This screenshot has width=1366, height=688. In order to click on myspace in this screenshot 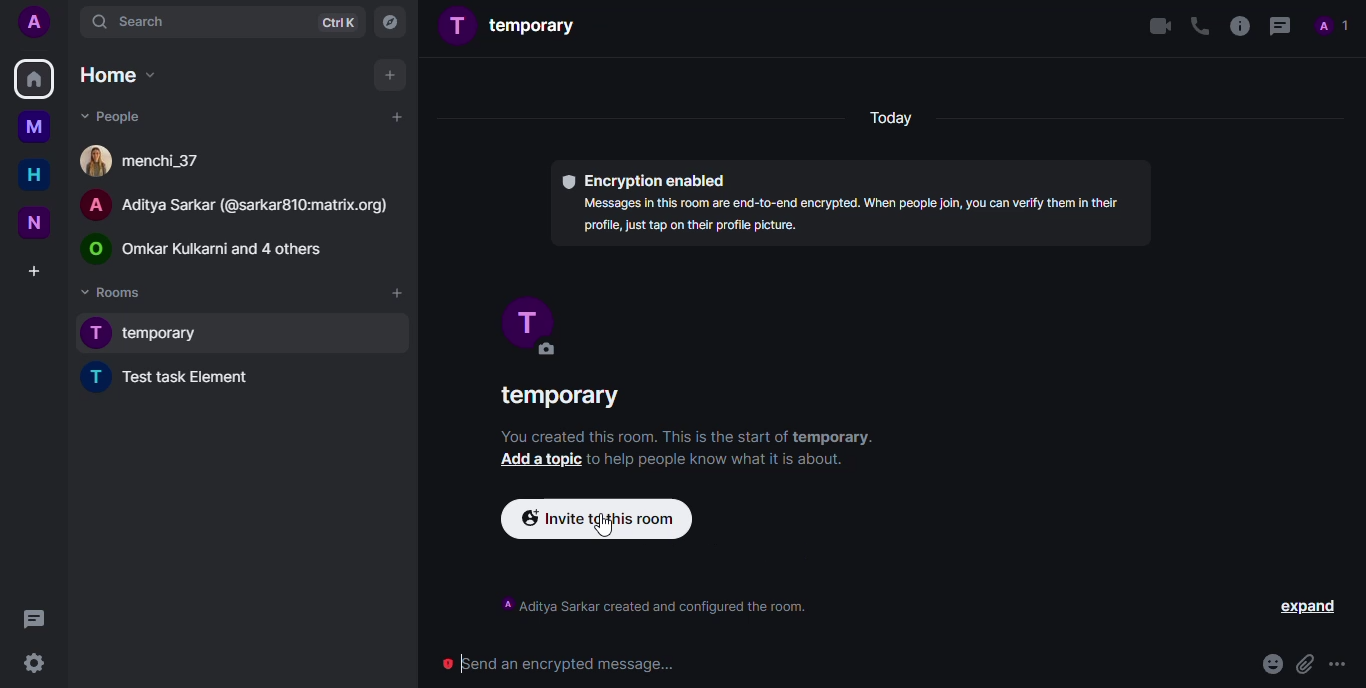, I will do `click(34, 127)`.